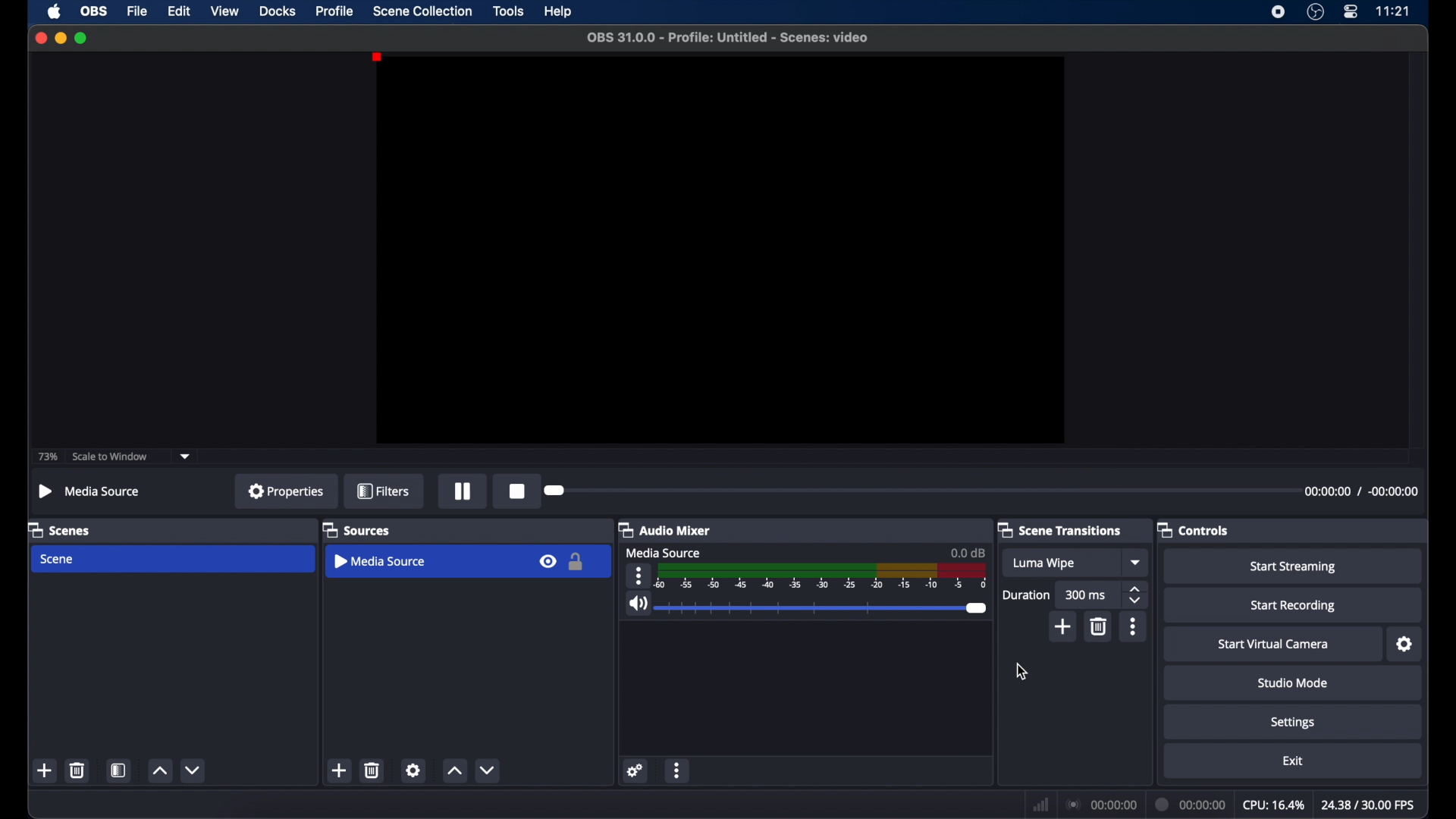 The image size is (1456, 819). What do you see at coordinates (1041, 803) in the screenshot?
I see `network` at bounding box center [1041, 803].